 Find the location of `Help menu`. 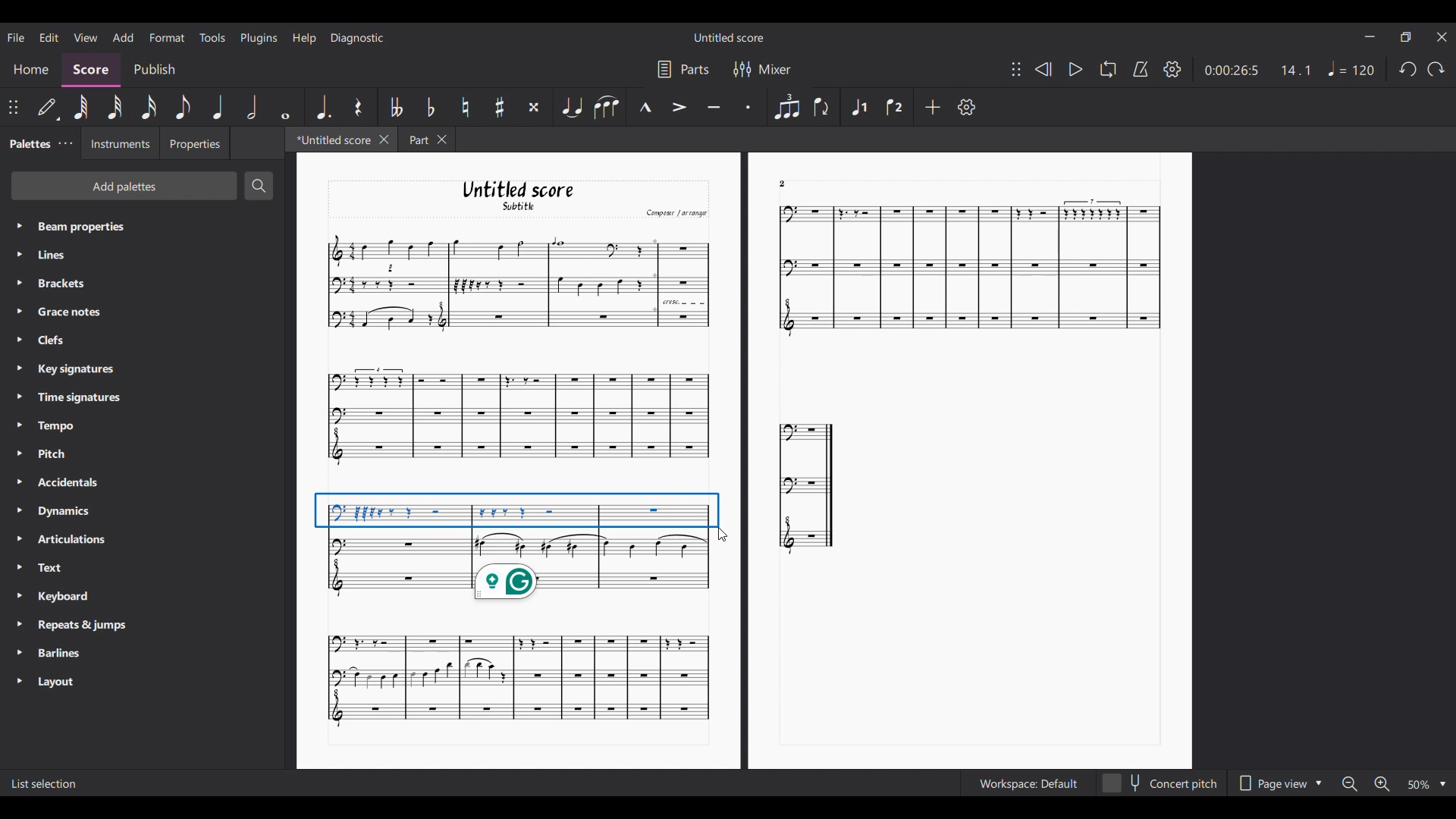

Help menu is located at coordinates (304, 38).